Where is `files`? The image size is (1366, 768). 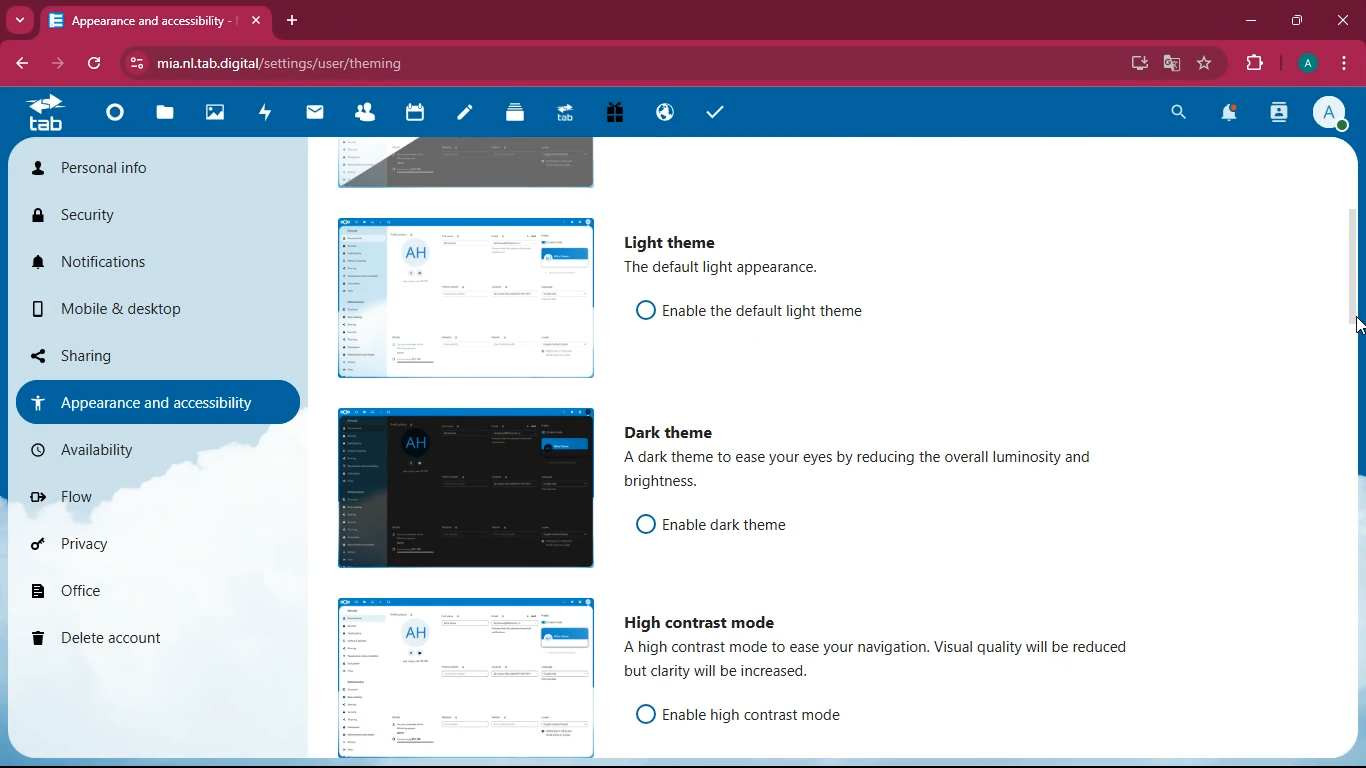
files is located at coordinates (162, 116).